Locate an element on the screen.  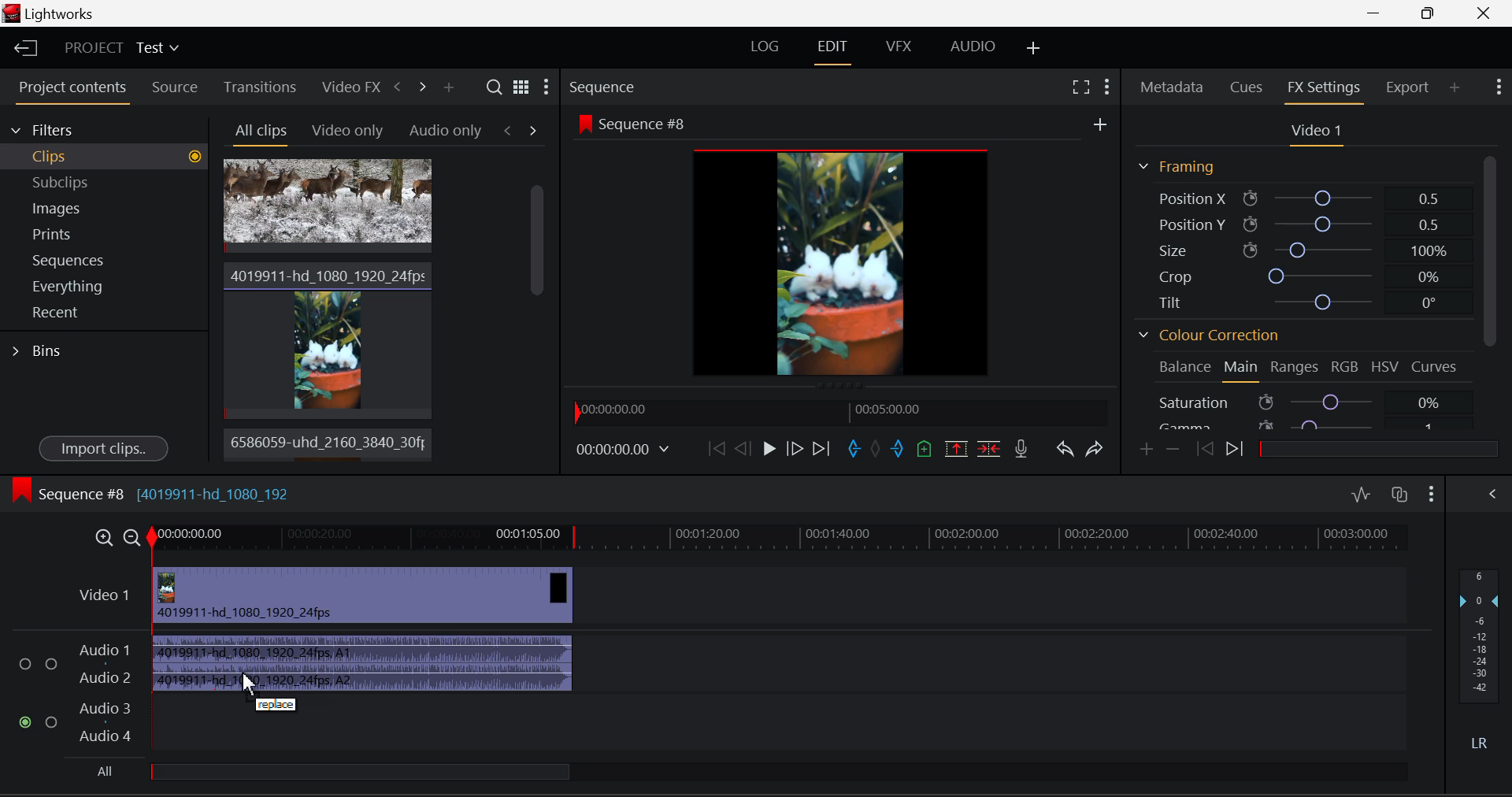
Scroll Bar is located at coordinates (535, 313).